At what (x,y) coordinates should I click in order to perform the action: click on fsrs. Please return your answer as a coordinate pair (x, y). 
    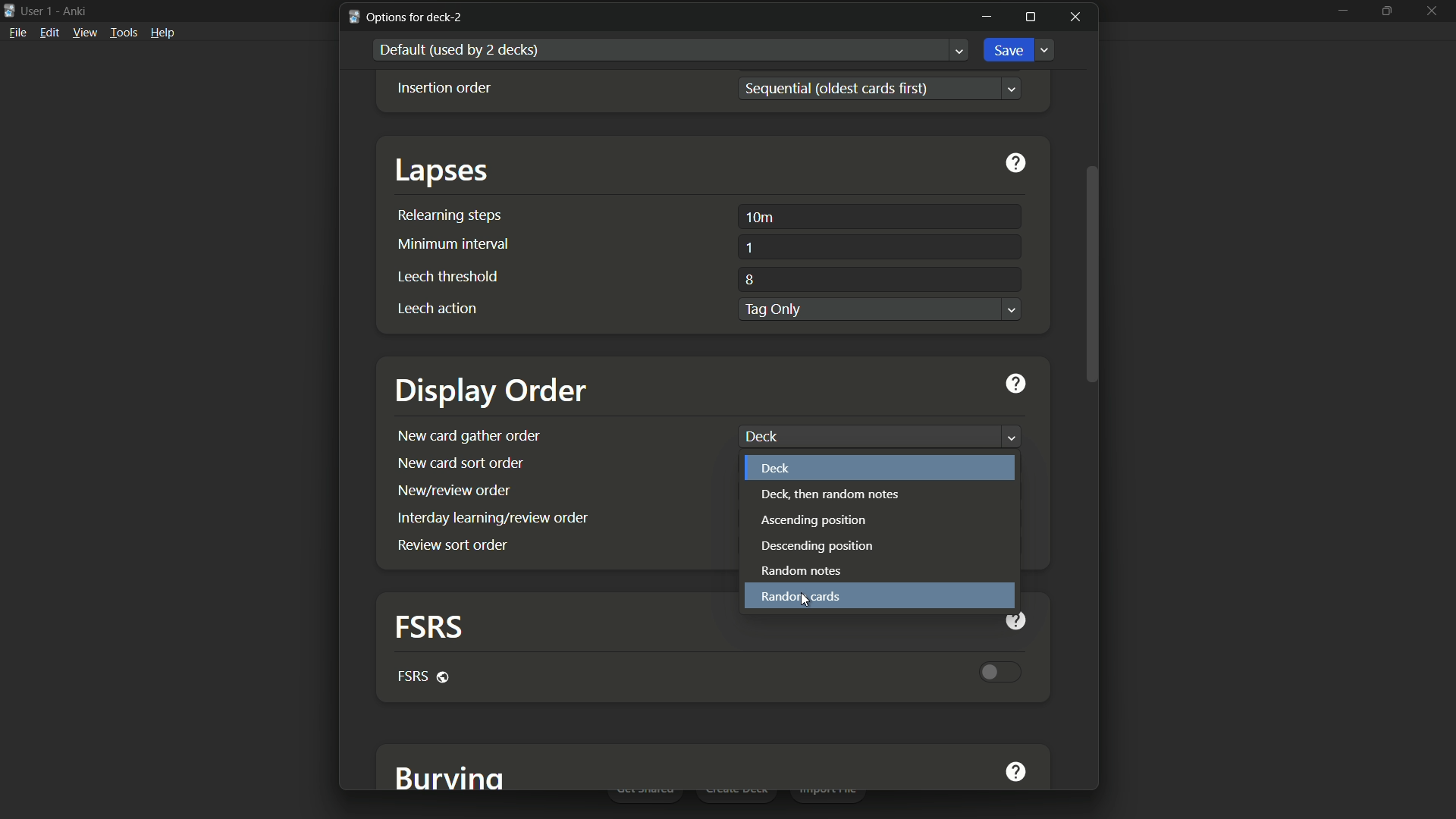
    Looking at the image, I should click on (425, 676).